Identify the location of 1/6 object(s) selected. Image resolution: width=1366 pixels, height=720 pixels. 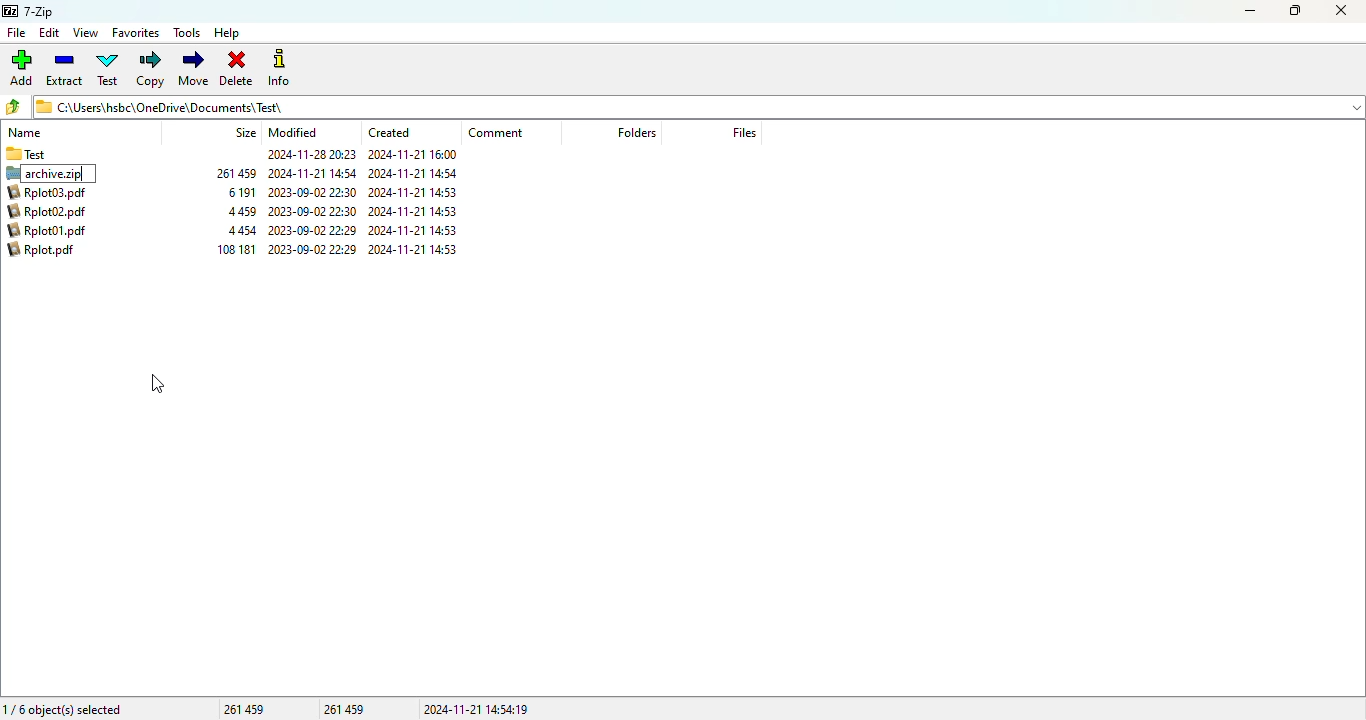
(63, 708).